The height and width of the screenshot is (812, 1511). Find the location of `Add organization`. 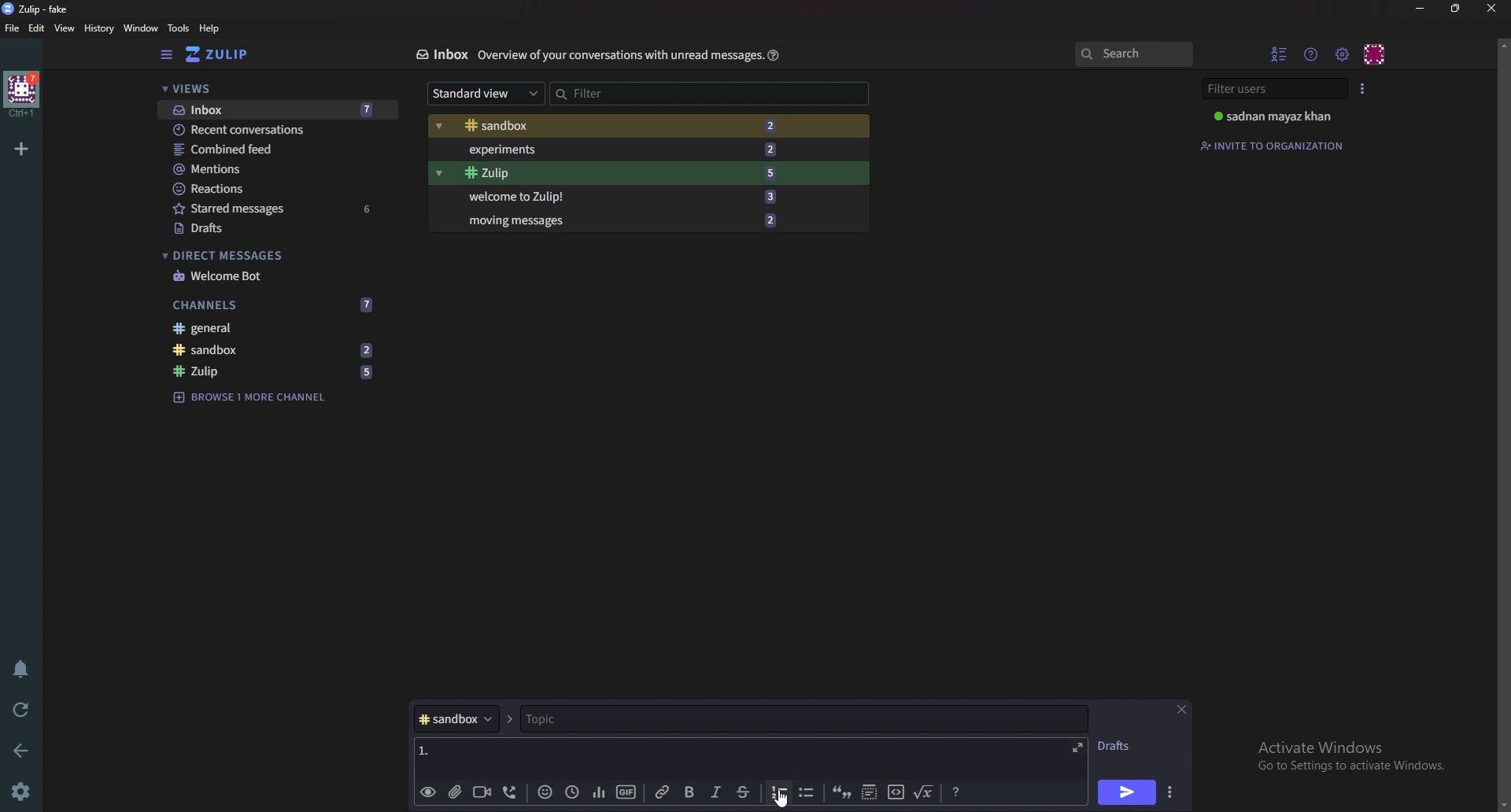

Add organization is located at coordinates (23, 146).